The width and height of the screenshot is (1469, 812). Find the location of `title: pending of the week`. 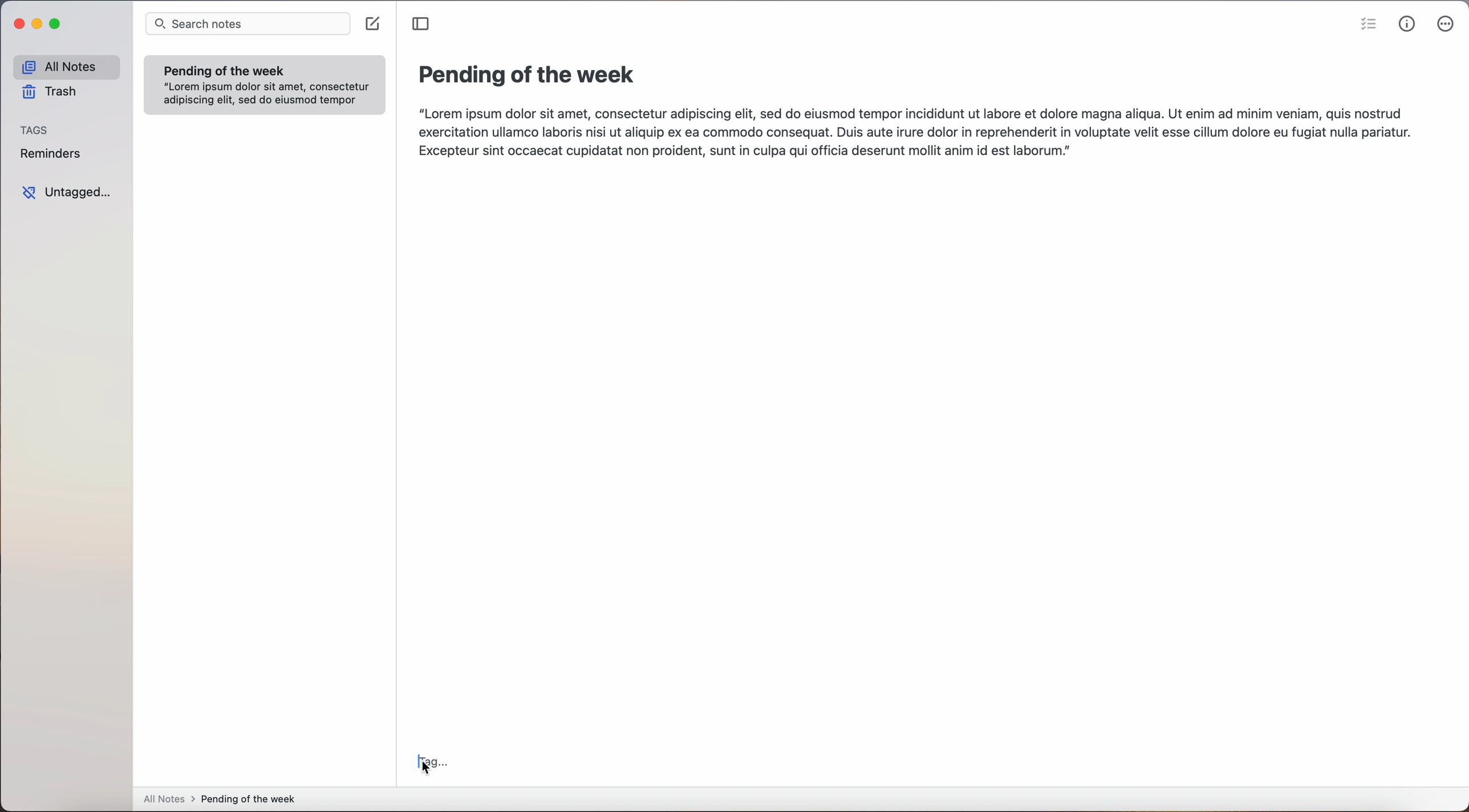

title: pending of the week is located at coordinates (530, 76).